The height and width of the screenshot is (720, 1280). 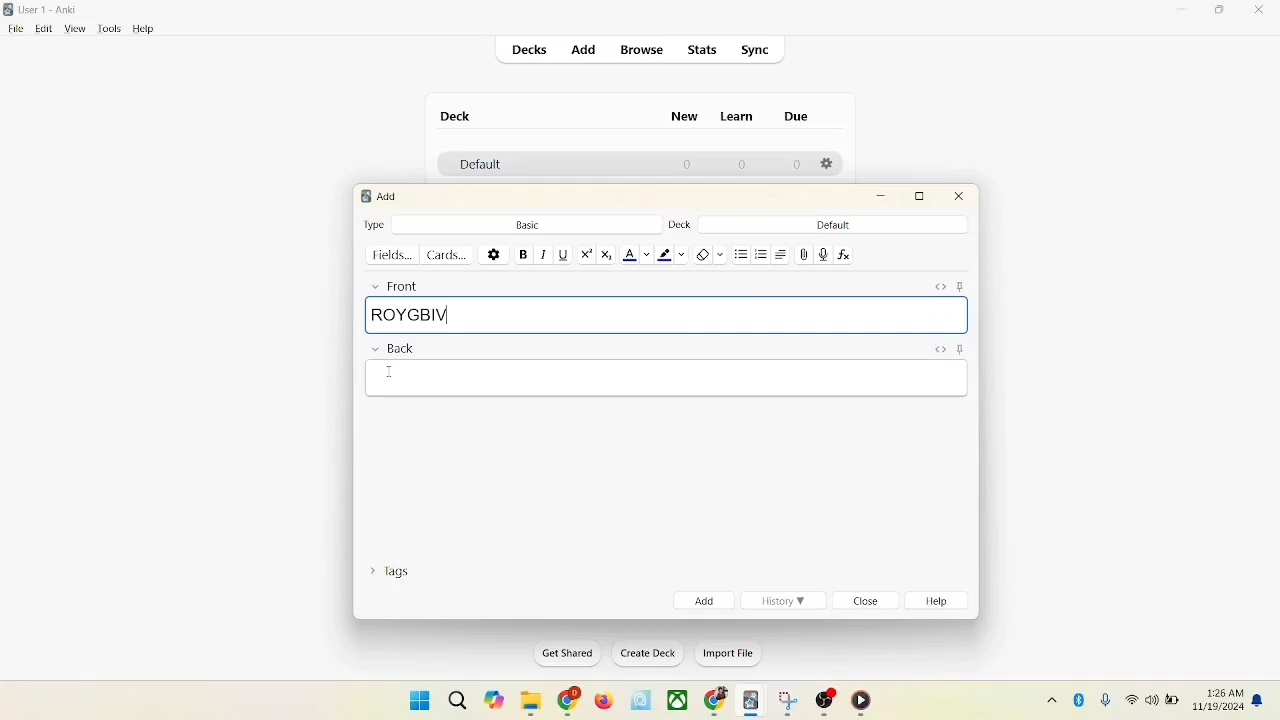 What do you see at coordinates (52, 10) in the screenshot?
I see `User1-Anki` at bounding box center [52, 10].